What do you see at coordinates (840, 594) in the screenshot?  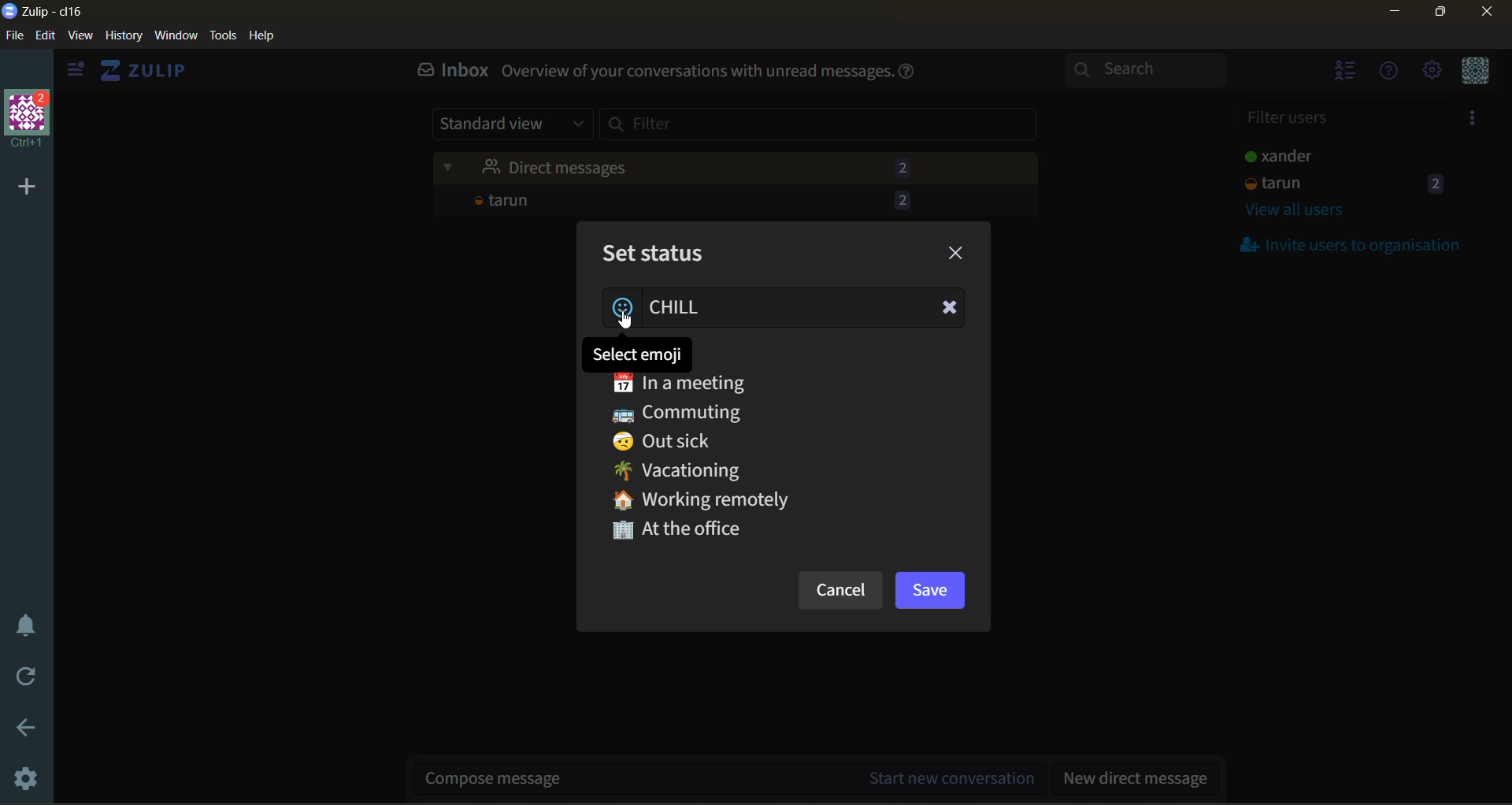 I see `cancel` at bounding box center [840, 594].